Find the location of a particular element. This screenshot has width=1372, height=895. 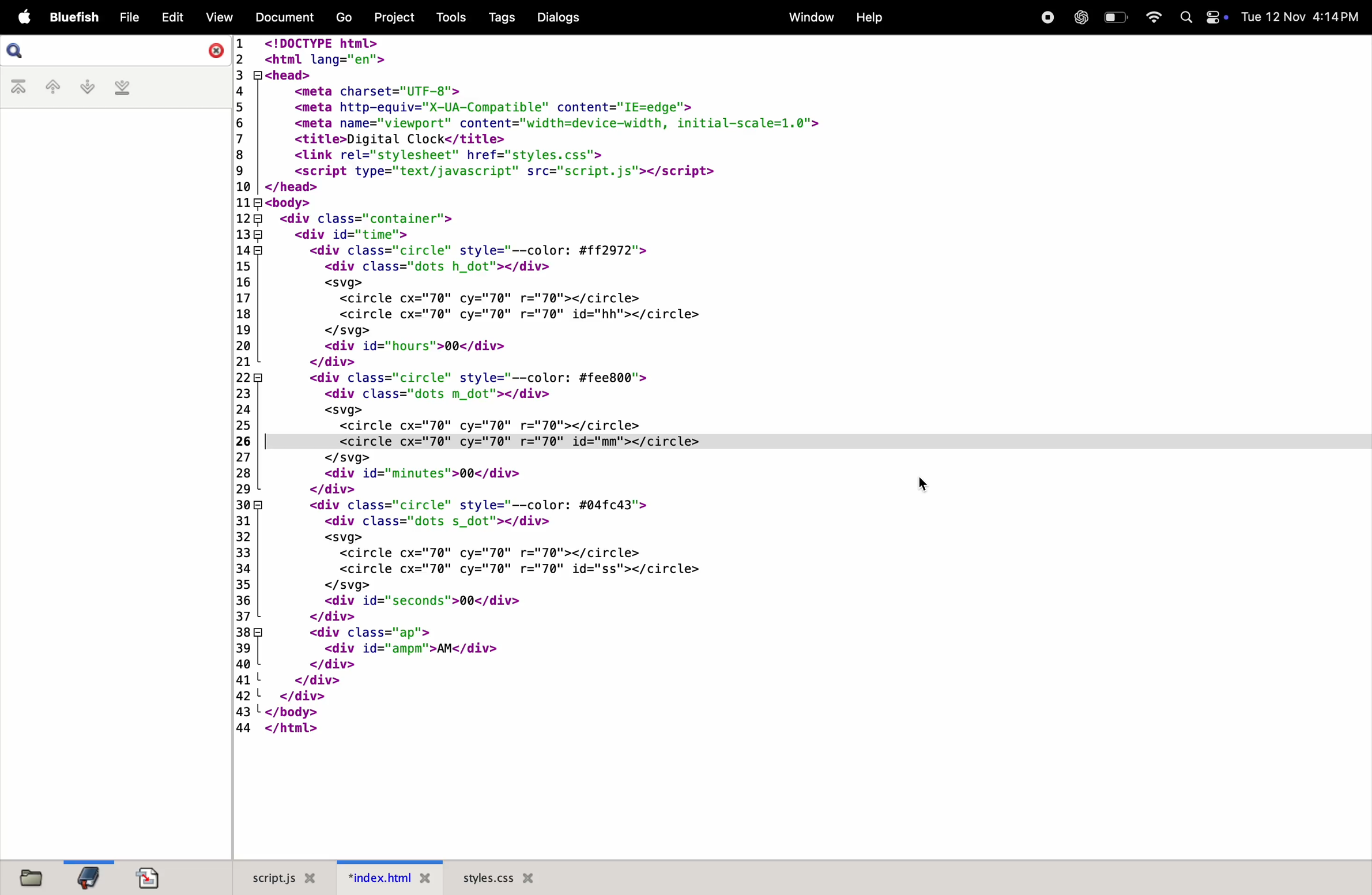

dialogs is located at coordinates (559, 18).